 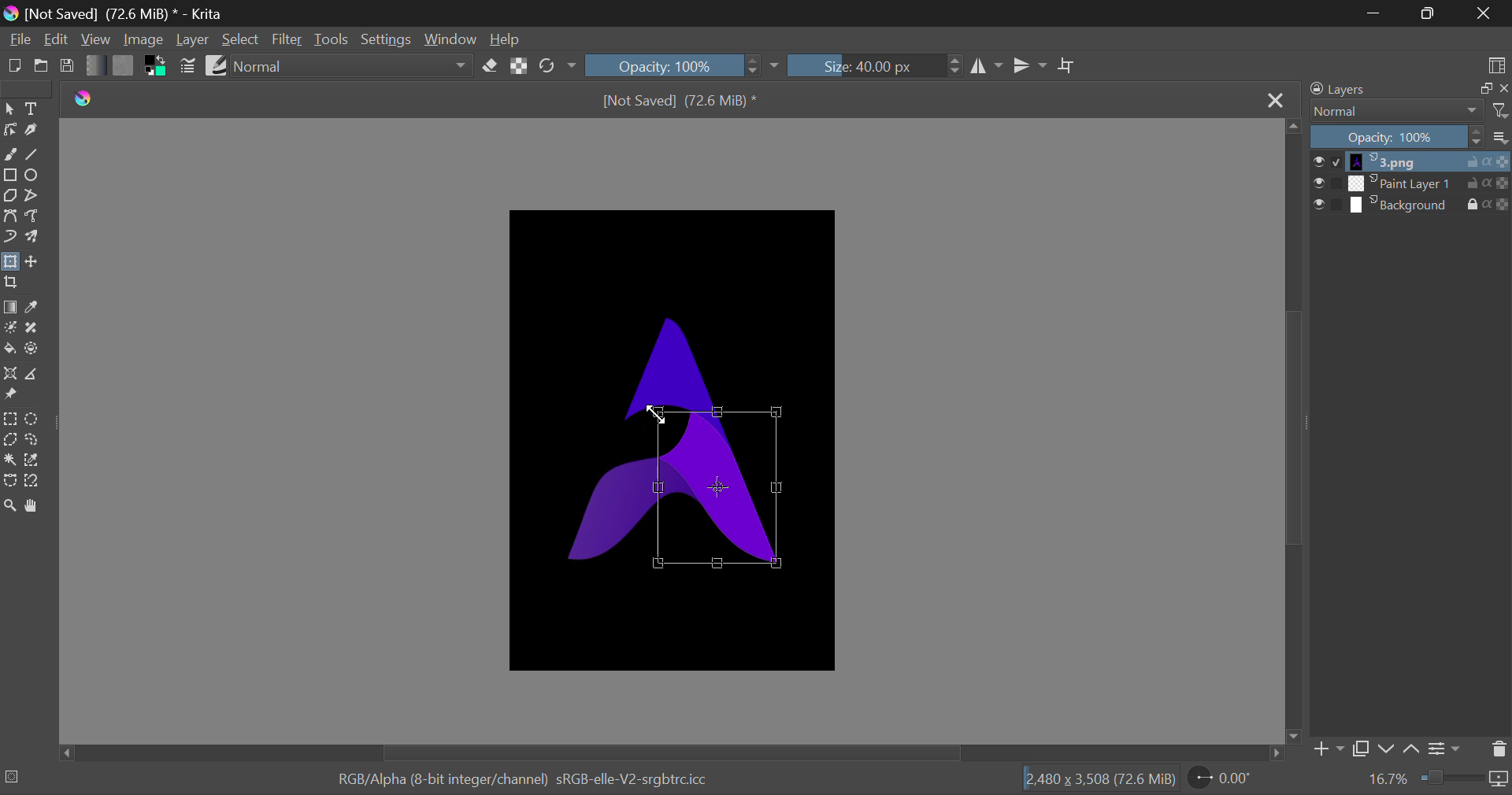 What do you see at coordinates (519, 67) in the screenshot?
I see `Lock Alpha` at bounding box center [519, 67].